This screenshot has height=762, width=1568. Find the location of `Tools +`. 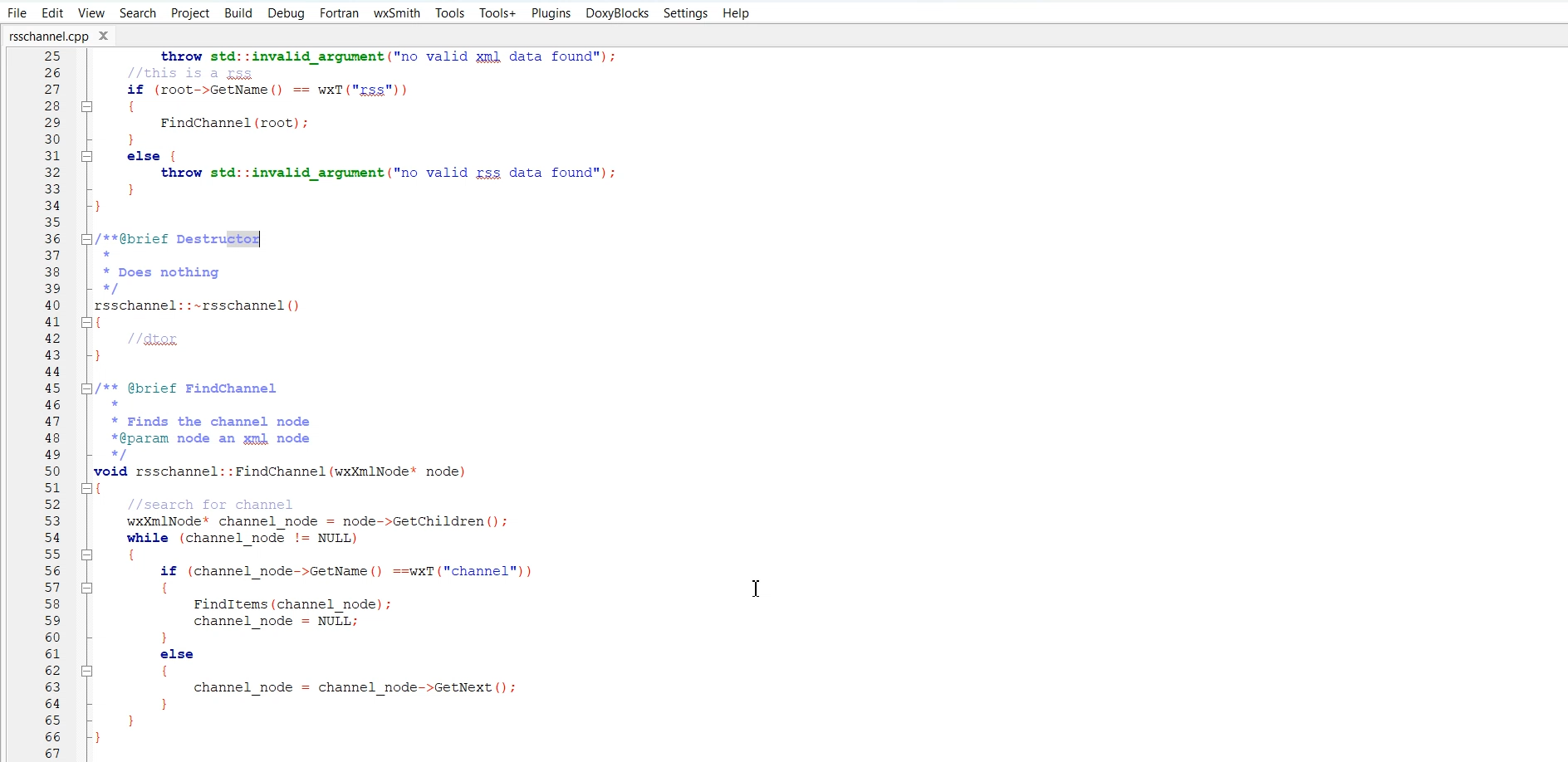

Tools + is located at coordinates (498, 13).